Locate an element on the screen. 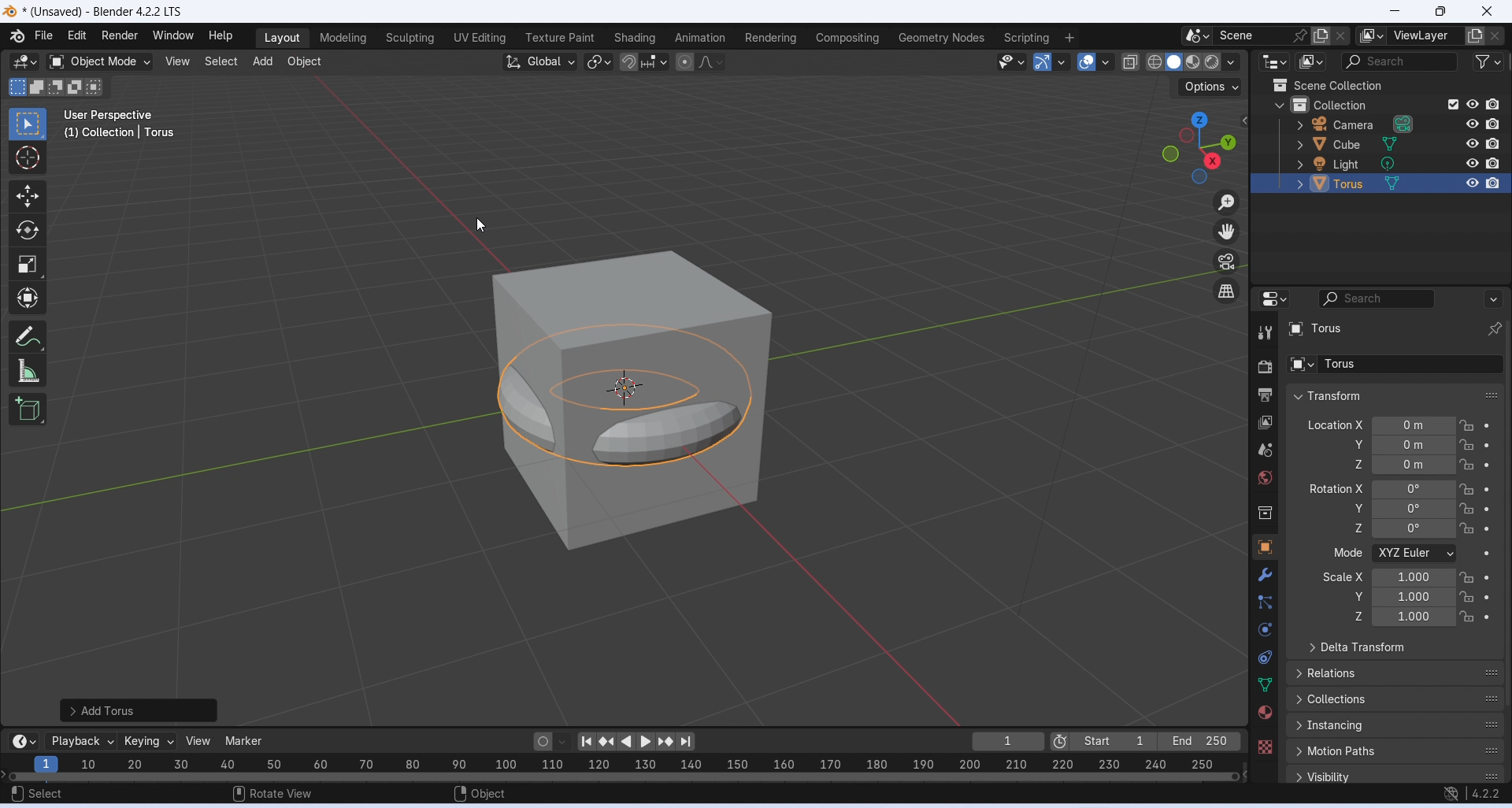 The image size is (1512, 808). Texture is located at coordinates (1264, 747).